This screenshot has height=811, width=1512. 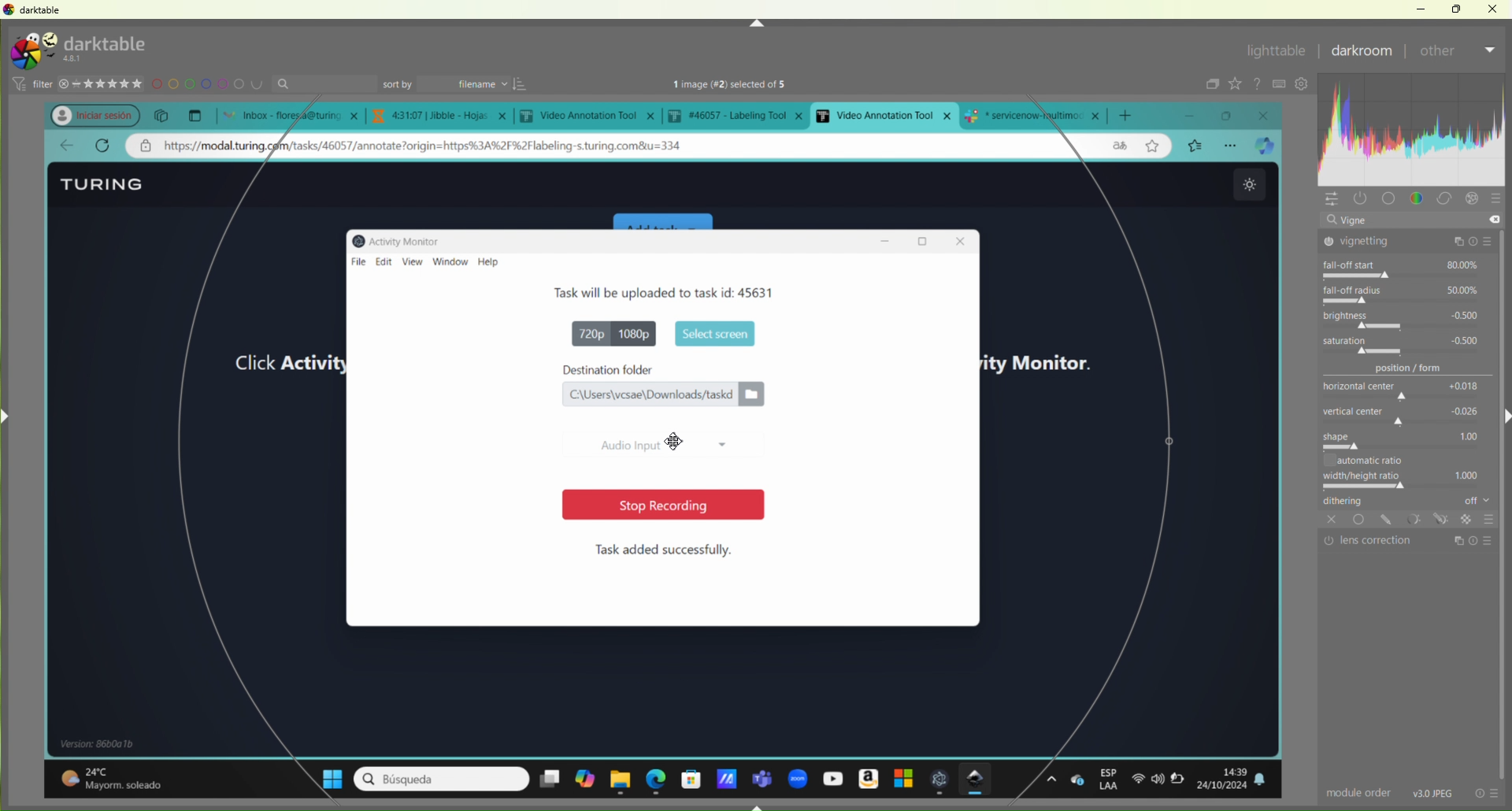 What do you see at coordinates (273, 363) in the screenshot?
I see `click activity` at bounding box center [273, 363].